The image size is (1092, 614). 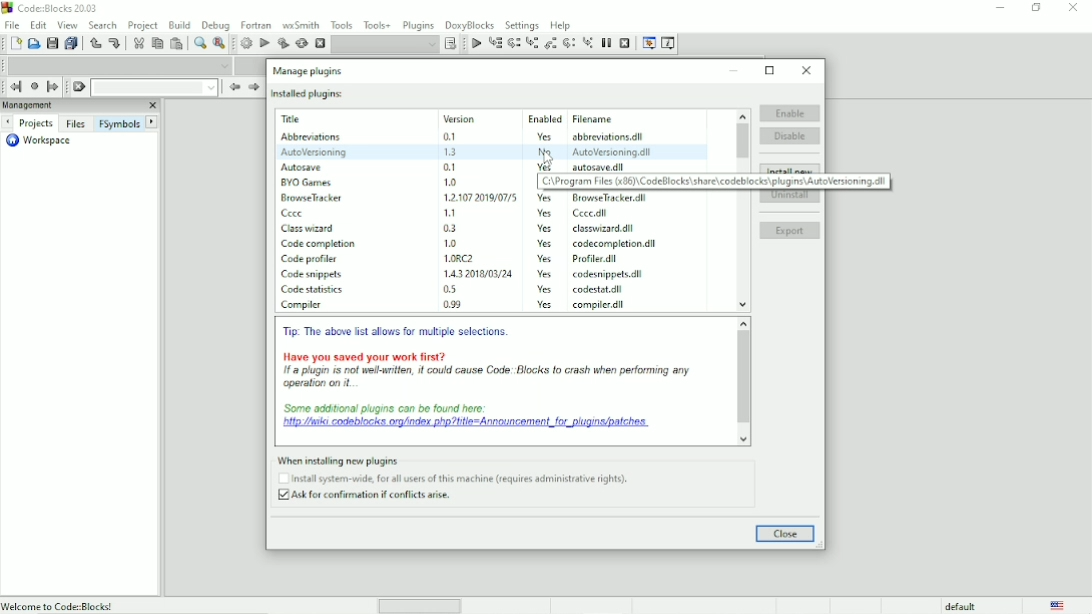 What do you see at coordinates (545, 214) in the screenshot?
I see `Yes` at bounding box center [545, 214].